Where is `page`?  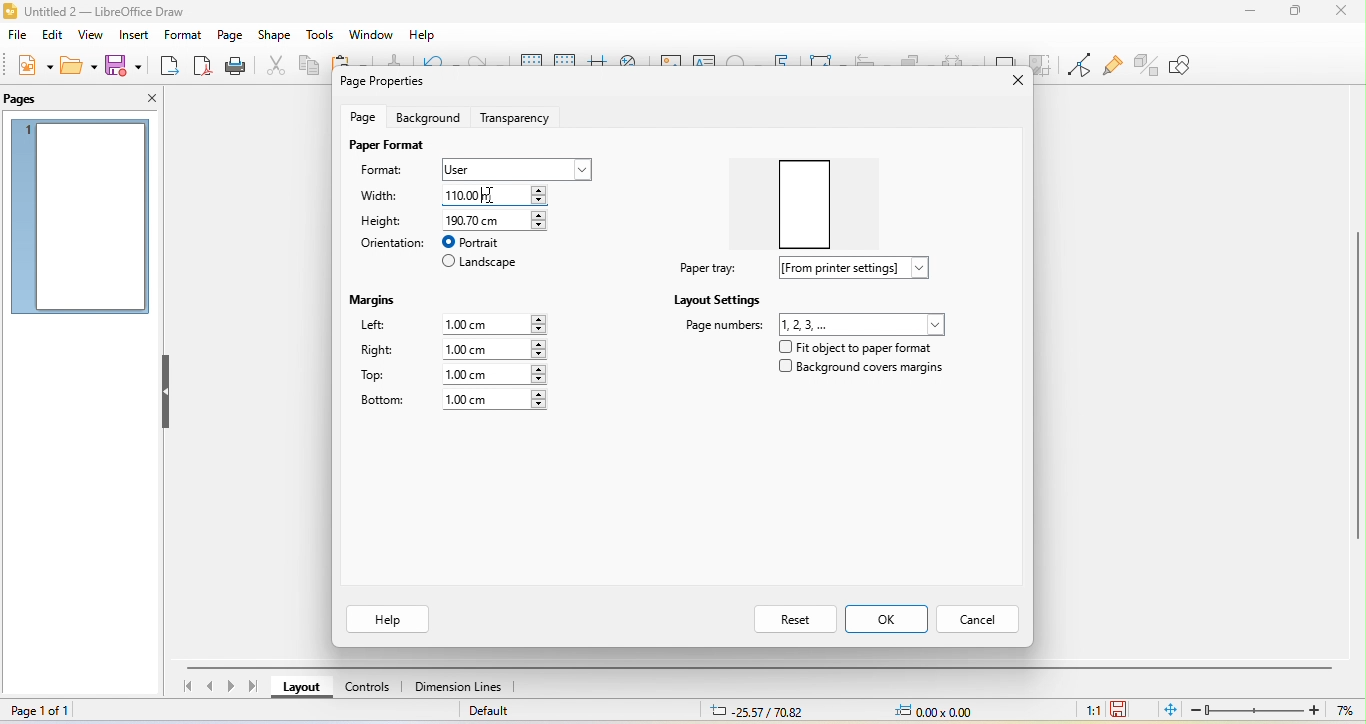
page is located at coordinates (229, 35).